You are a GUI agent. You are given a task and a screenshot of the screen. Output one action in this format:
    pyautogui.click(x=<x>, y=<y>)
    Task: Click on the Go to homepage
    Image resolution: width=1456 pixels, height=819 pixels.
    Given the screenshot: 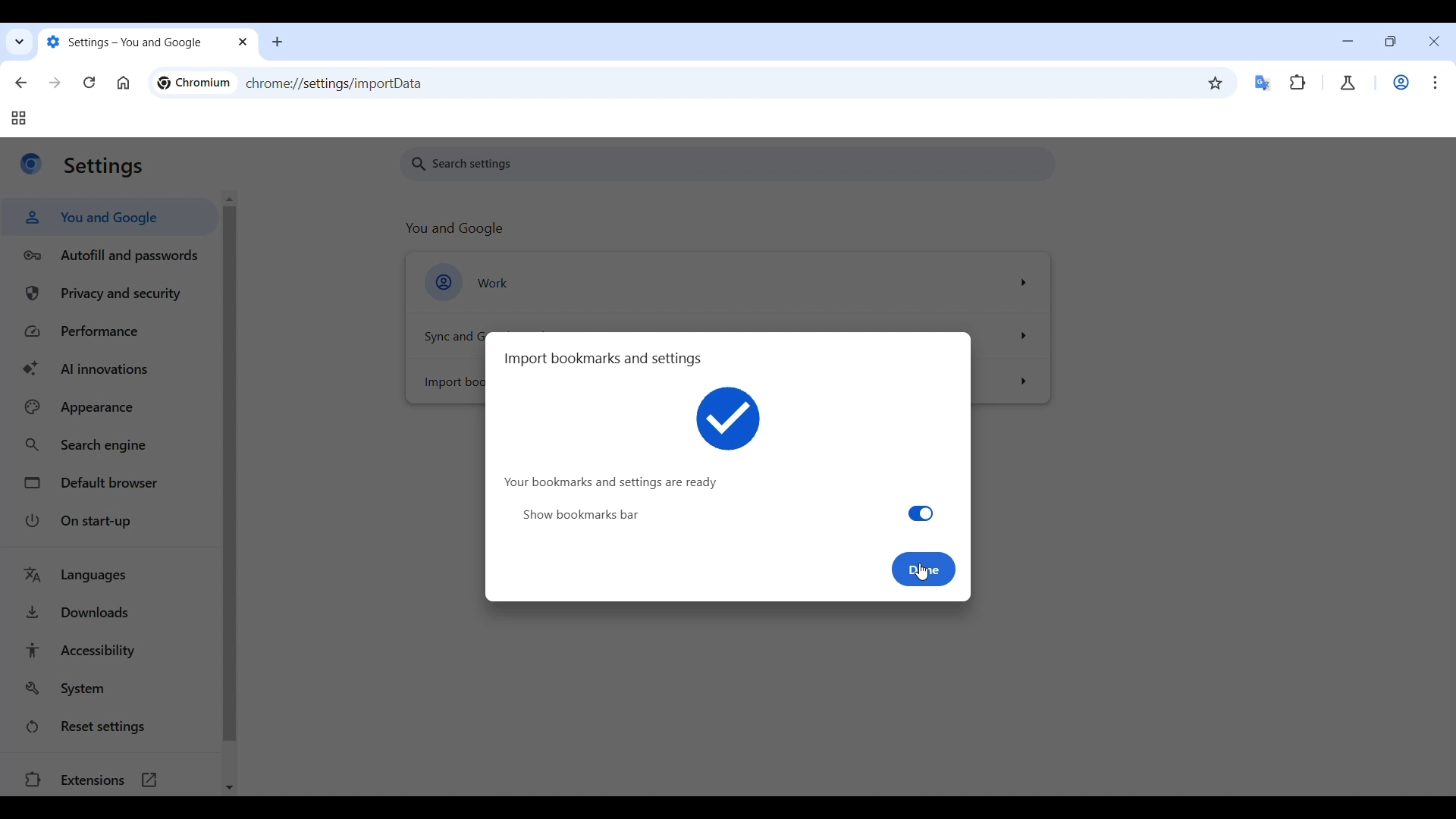 What is the action you would take?
    pyautogui.click(x=123, y=83)
    